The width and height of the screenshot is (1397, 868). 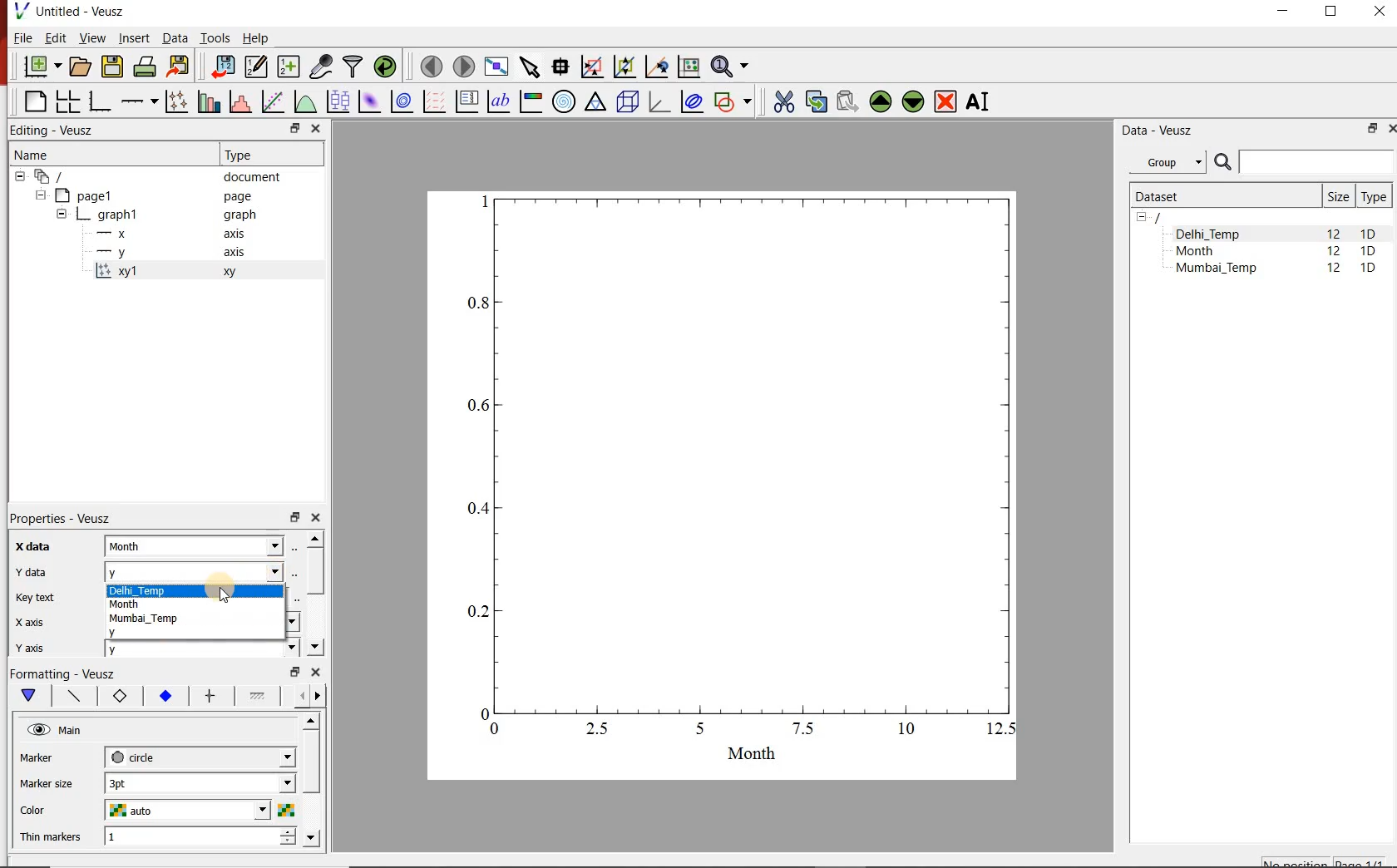 What do you see at coordinates (26, 696) in the screenshot?
I see `Main formatting` at bounding box center [26, 696].